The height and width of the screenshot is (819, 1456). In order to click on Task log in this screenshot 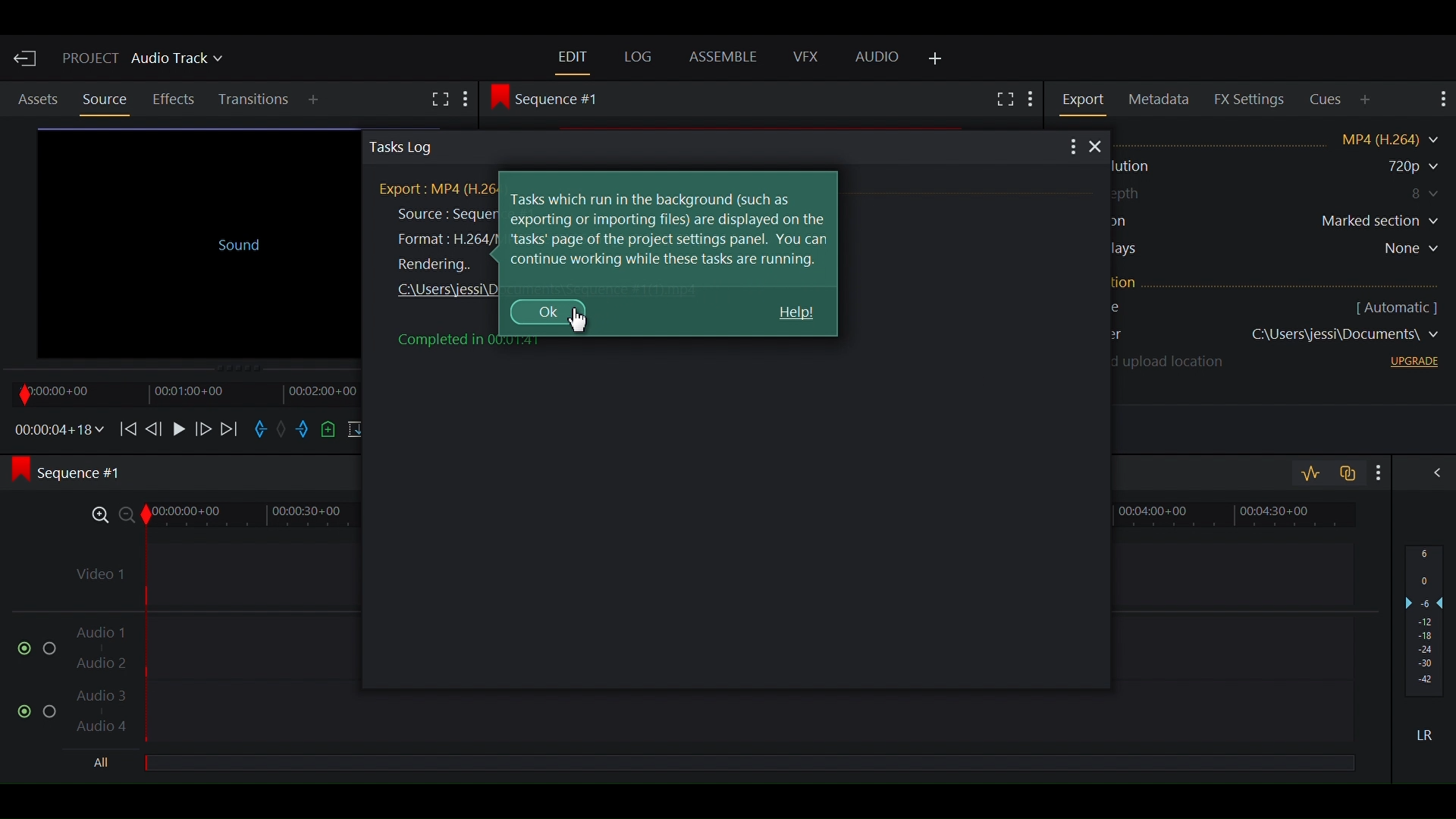, I will do `click(702, 147)`.